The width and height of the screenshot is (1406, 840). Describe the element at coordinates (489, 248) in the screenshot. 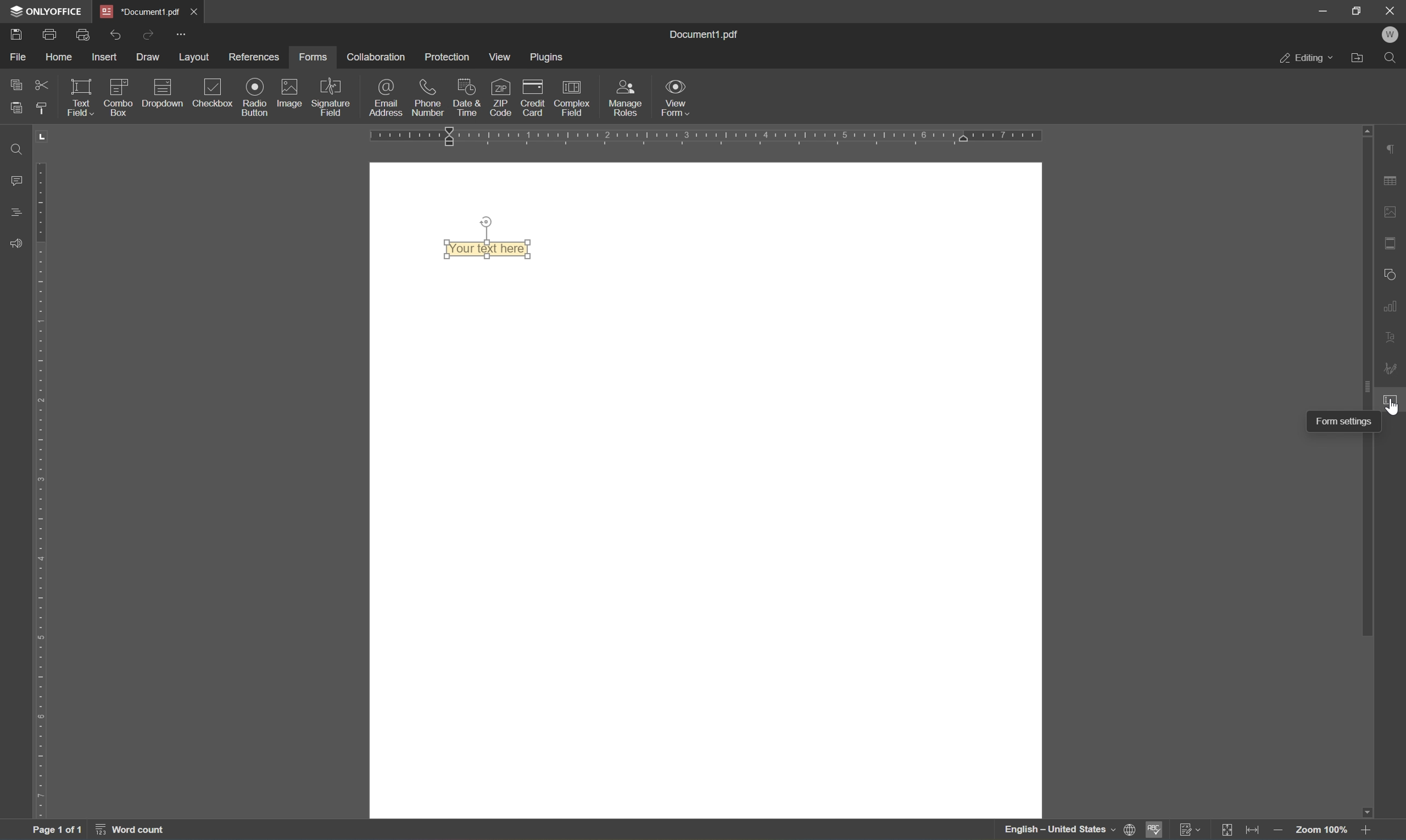

I see `your text here` at that location.